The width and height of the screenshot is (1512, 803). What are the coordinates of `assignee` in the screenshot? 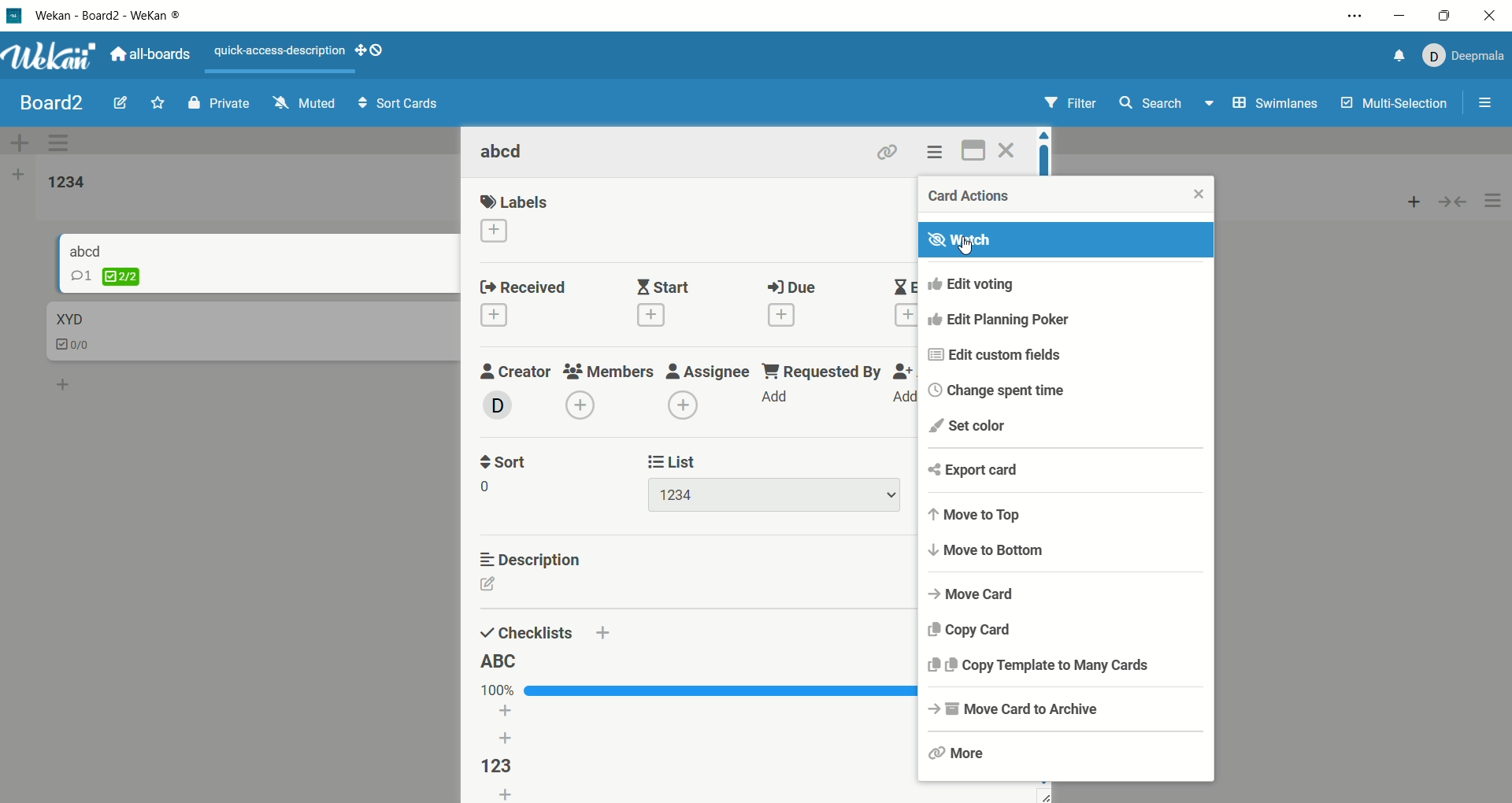 It's located at (708, 388).